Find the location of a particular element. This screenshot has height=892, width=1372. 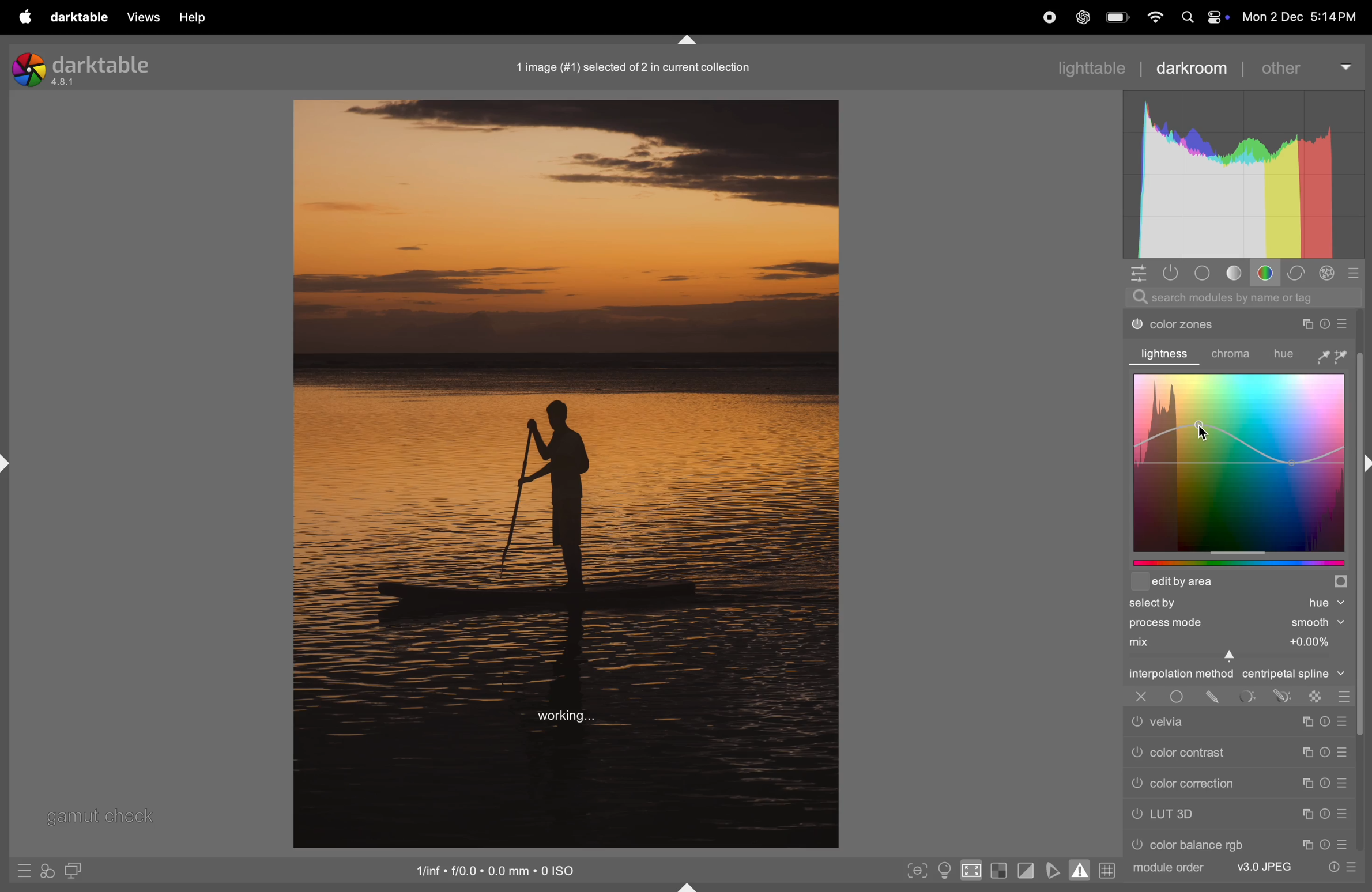

quick presets is located at coordinates (25, 870).